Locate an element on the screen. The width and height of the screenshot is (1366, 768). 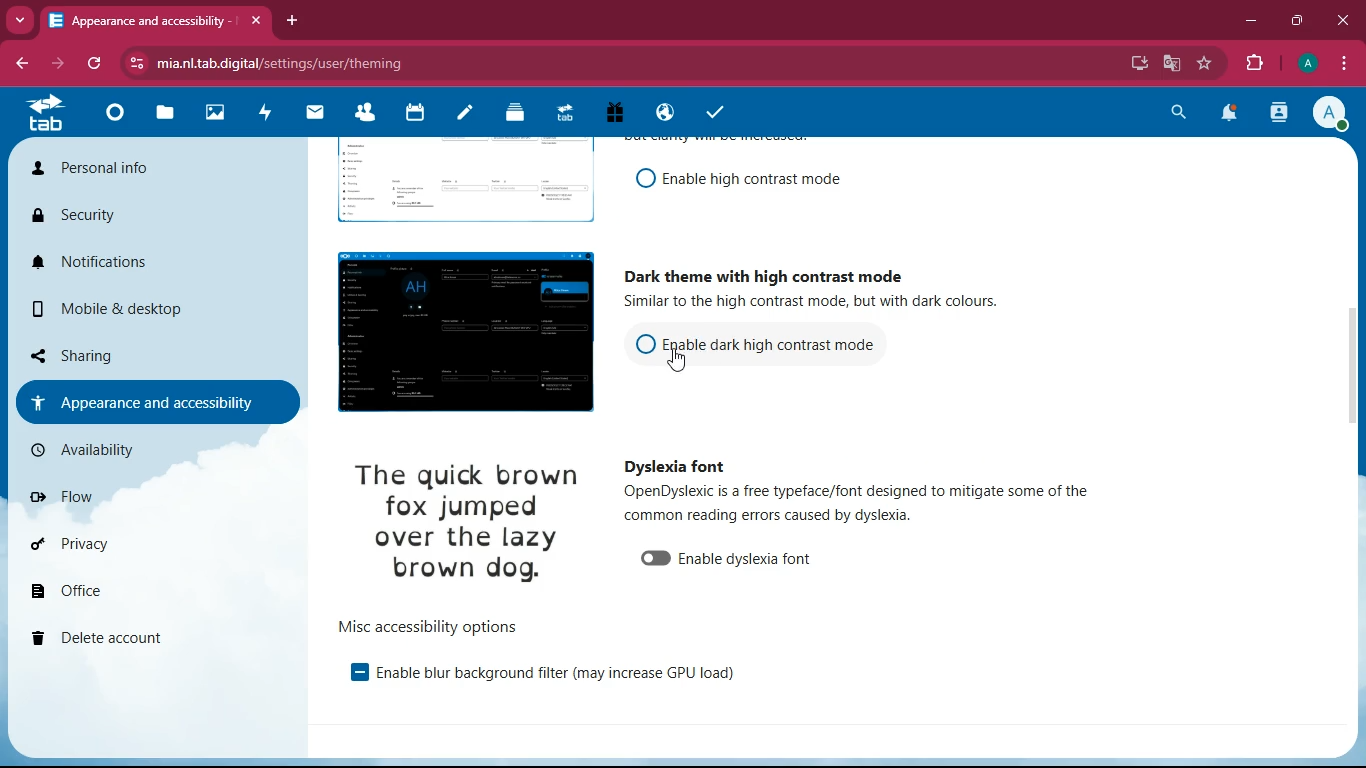
profile is located at coordinates (1335, 115).